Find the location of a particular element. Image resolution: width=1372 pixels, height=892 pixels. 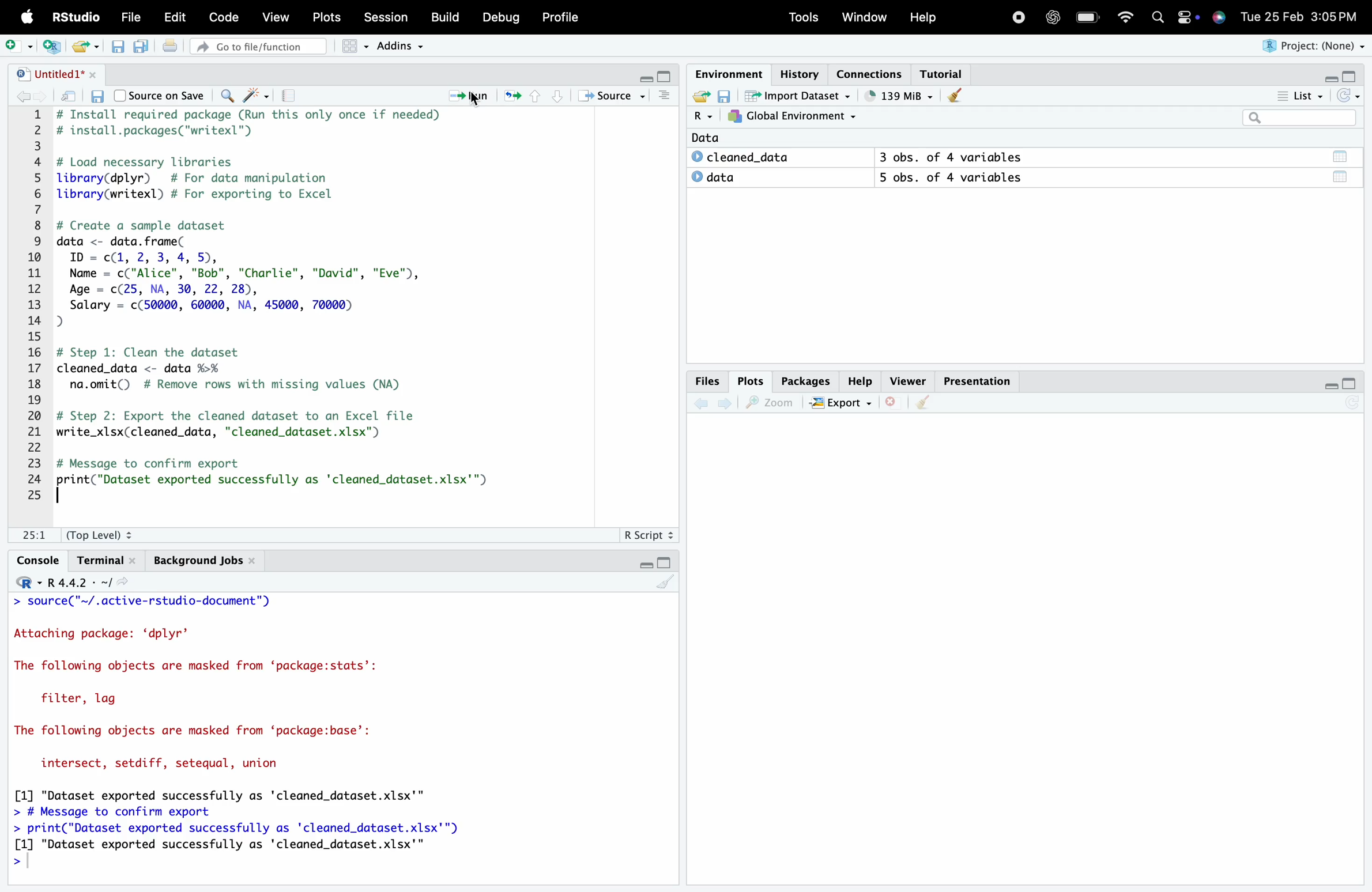

Workspace panes is located at coordinates (352, 47).